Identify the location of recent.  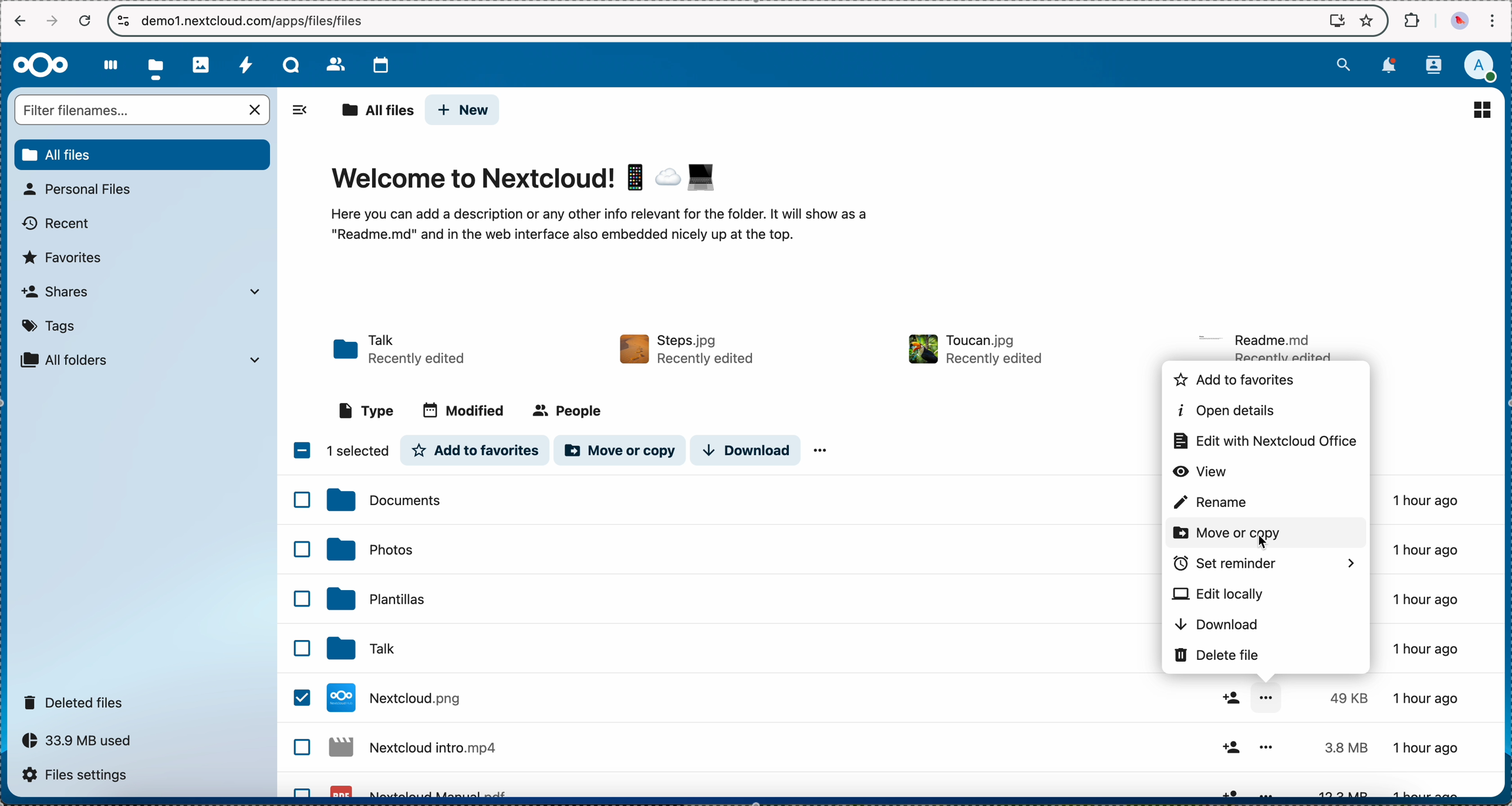
(54, 226).